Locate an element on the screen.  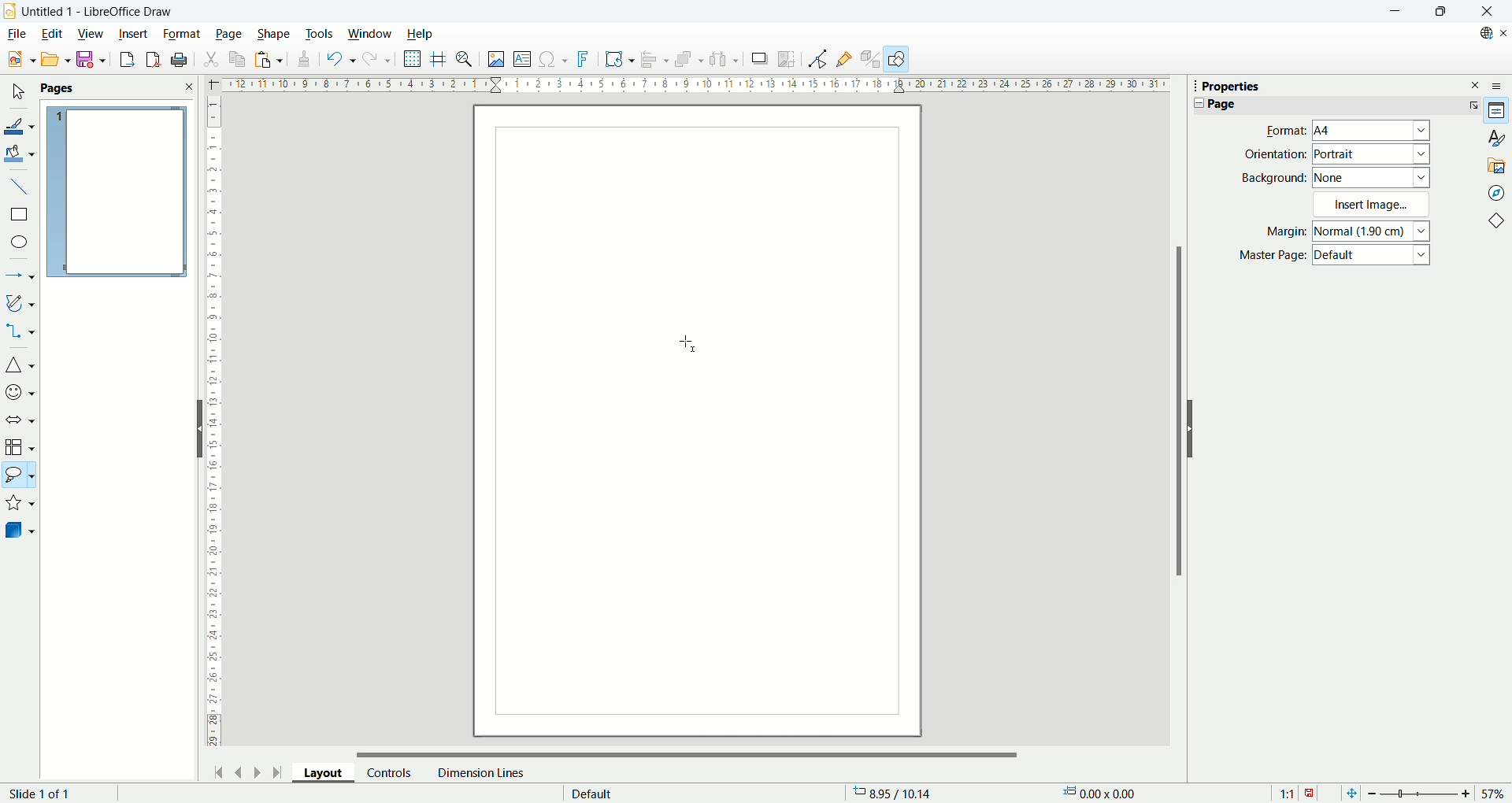
pages is located at coordinates (117, 89).